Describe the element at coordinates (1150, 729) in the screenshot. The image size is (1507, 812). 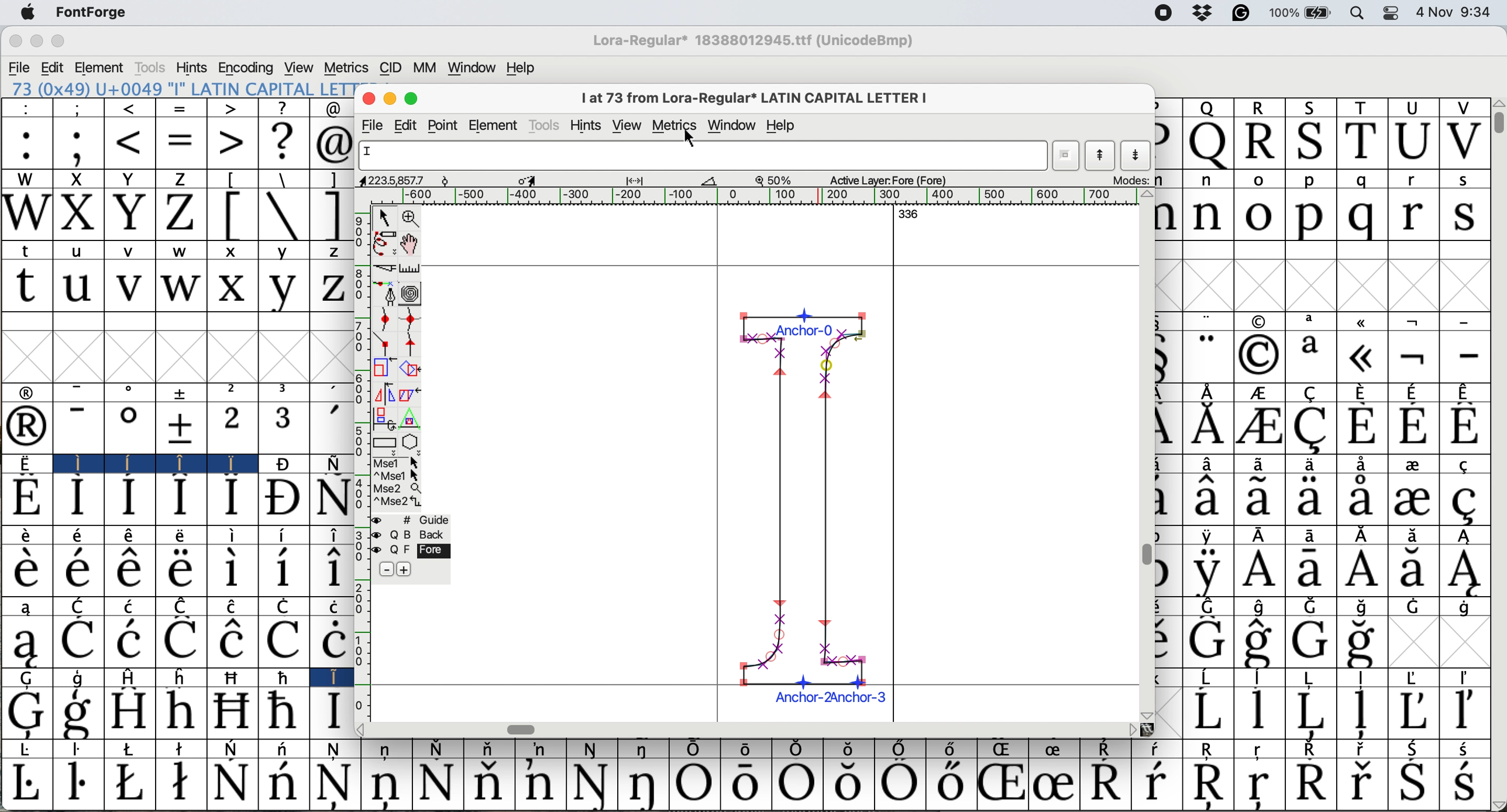
I see `` at that location.